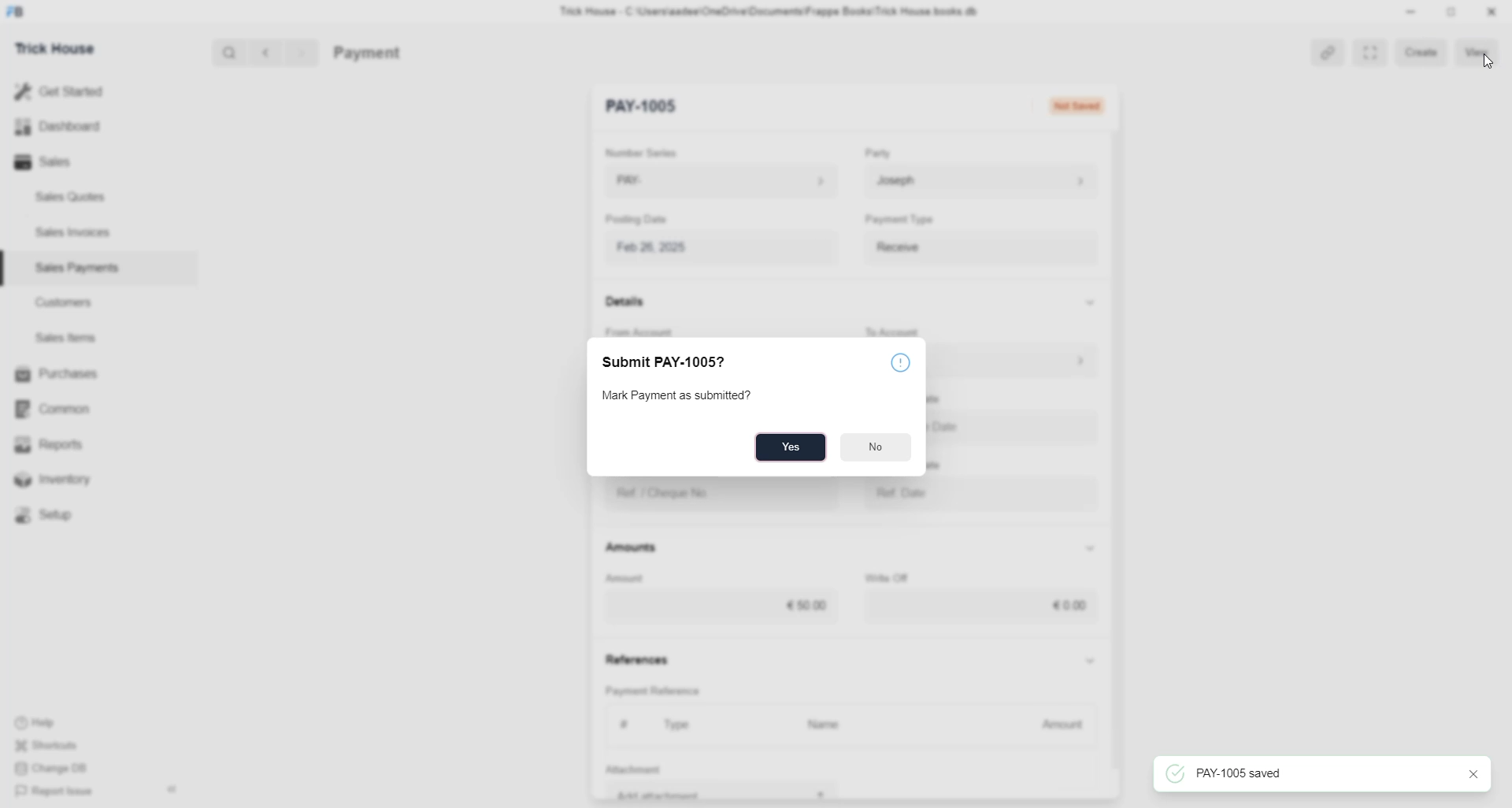 This screenshot has height=808, width=1512. What do you see at coordinates (53, 743) in the screenshot?
I see `Shortcuts` at bounding box center [53, 743].